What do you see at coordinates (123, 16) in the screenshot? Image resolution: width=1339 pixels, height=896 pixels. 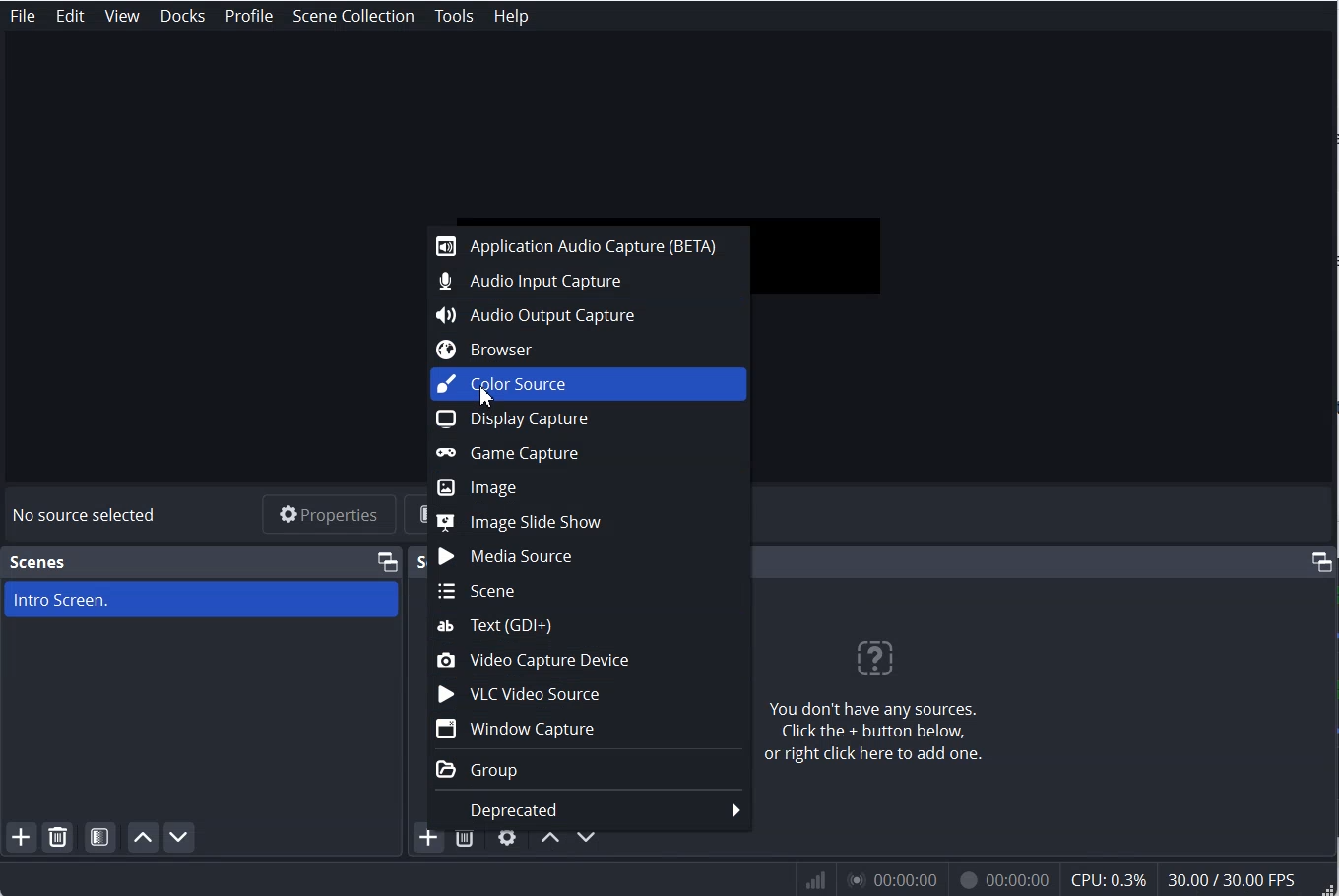 I see `View` at bounding box center [123, 16].